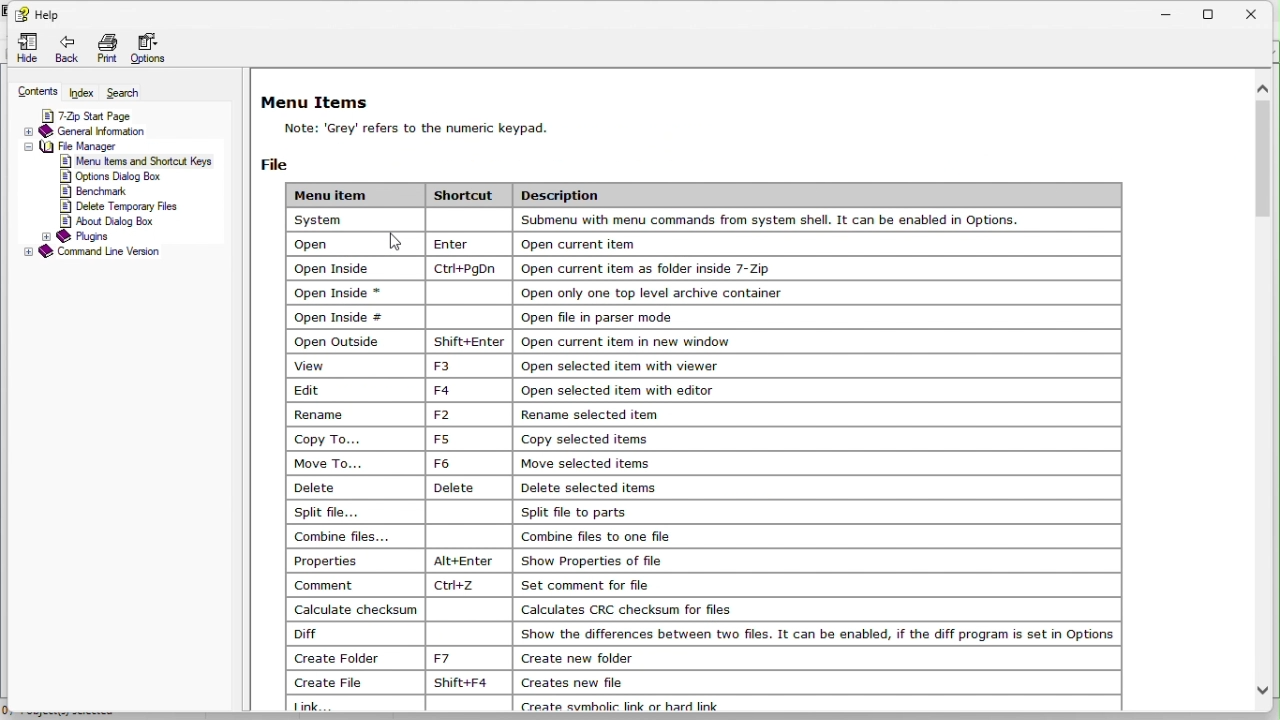 This screenshot has width=1280, height=720. Describe the element at coordinates (523, 608) in the screenshot. I see `| Calculate checksum | | Calculates CRC checksum for files` at that location.